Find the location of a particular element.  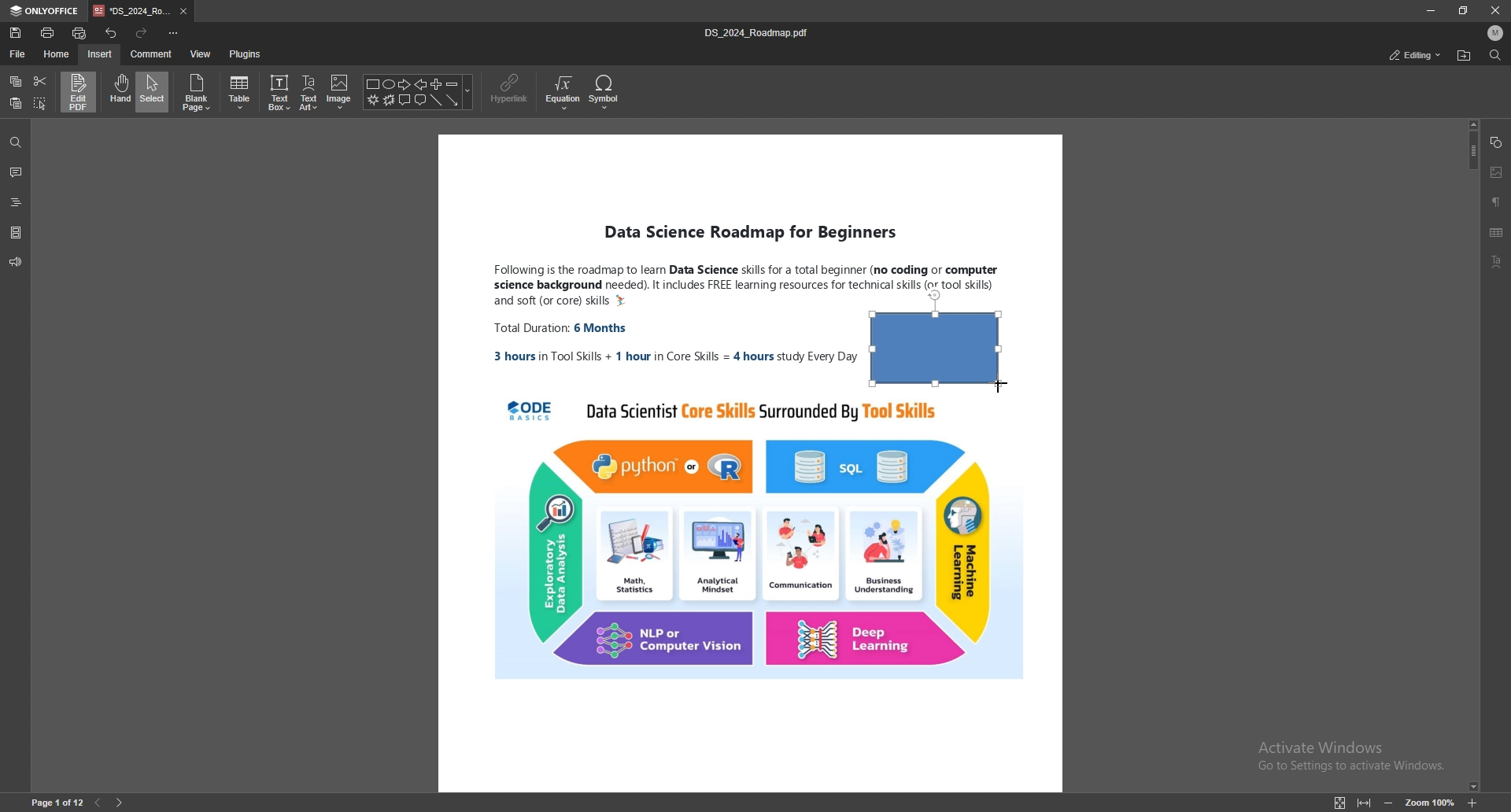

close is located at coordinates (1495, 9).